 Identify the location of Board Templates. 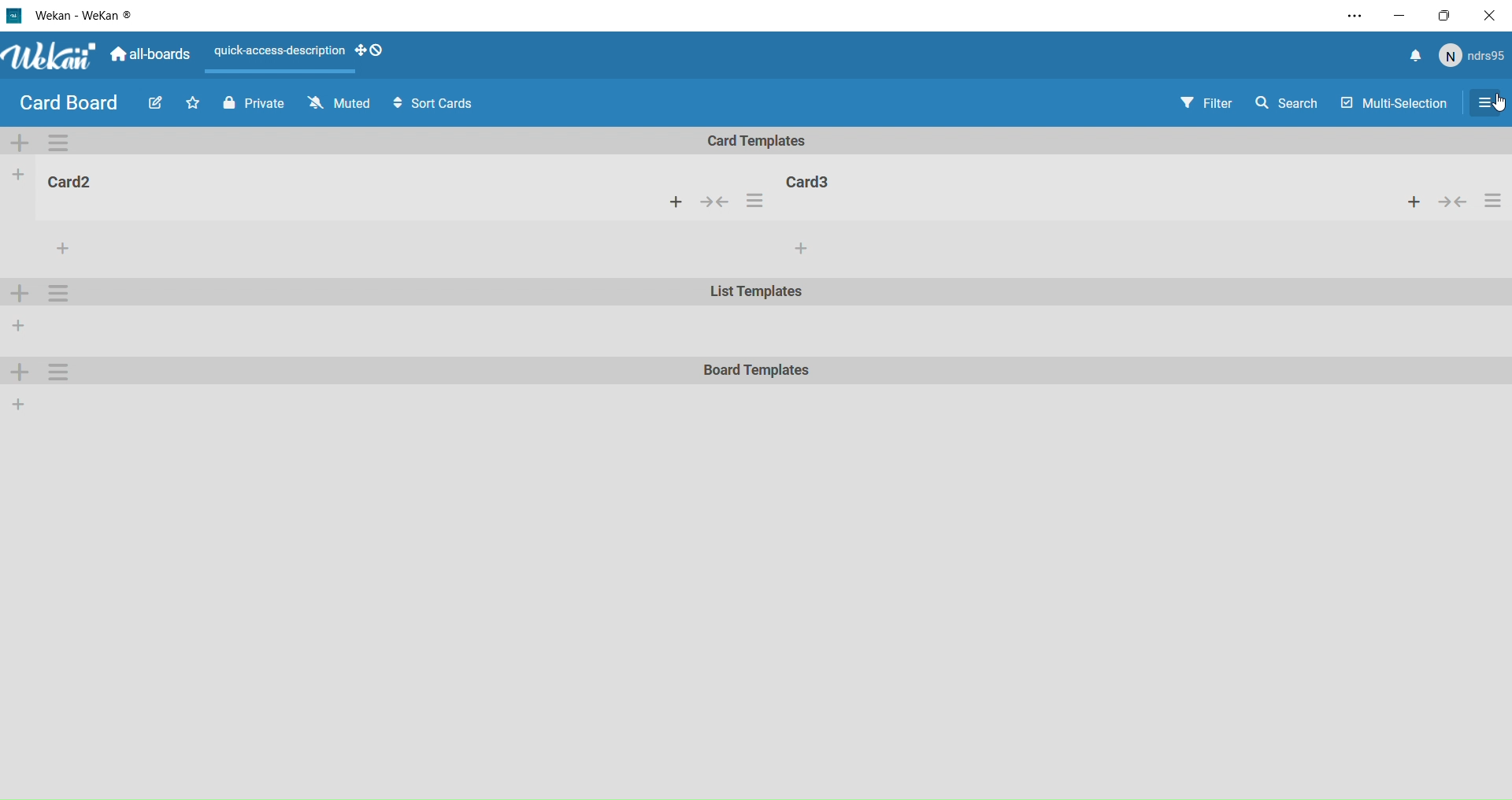
(758, 372).